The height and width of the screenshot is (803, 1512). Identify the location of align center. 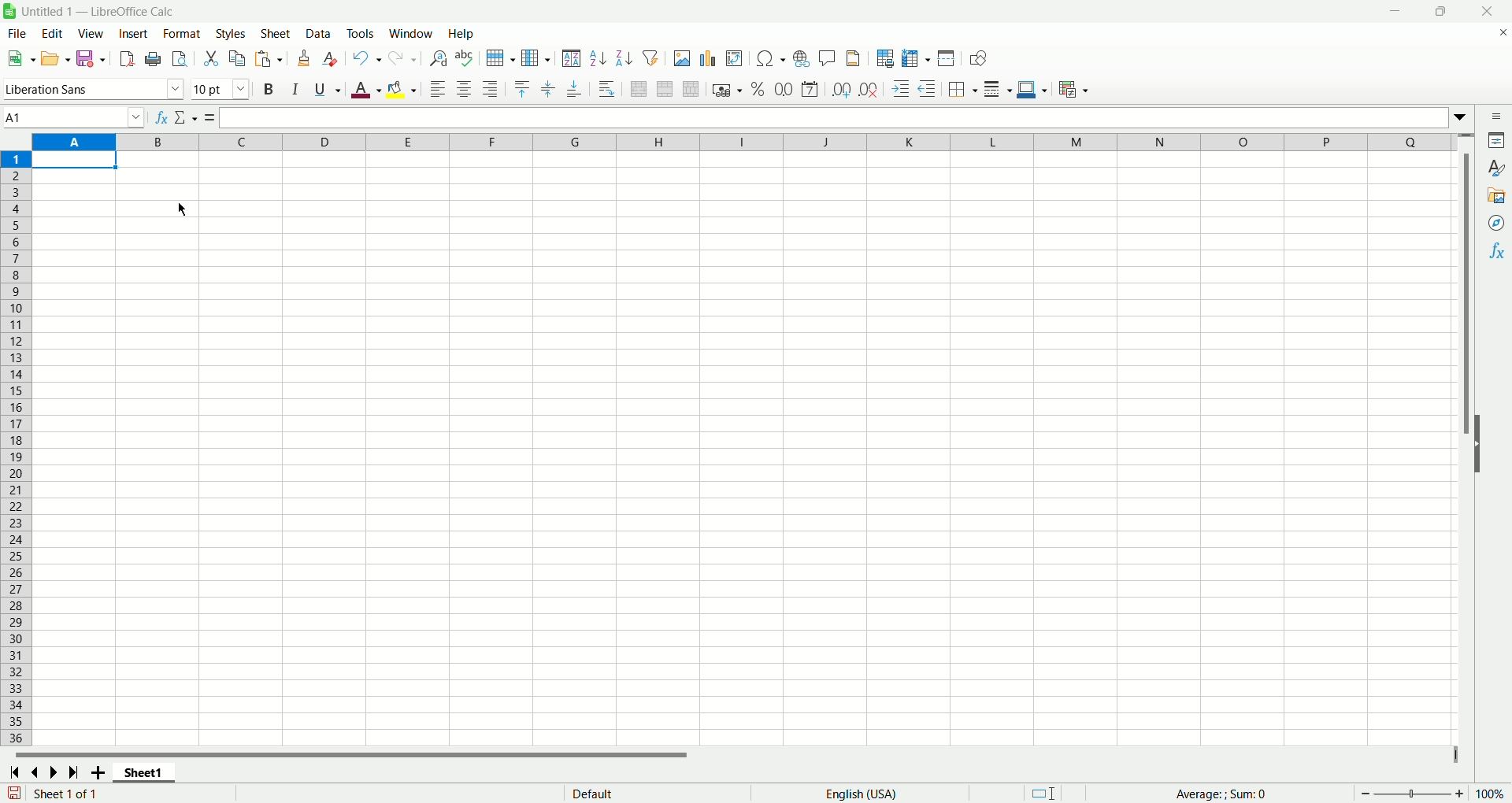
(467, 90).